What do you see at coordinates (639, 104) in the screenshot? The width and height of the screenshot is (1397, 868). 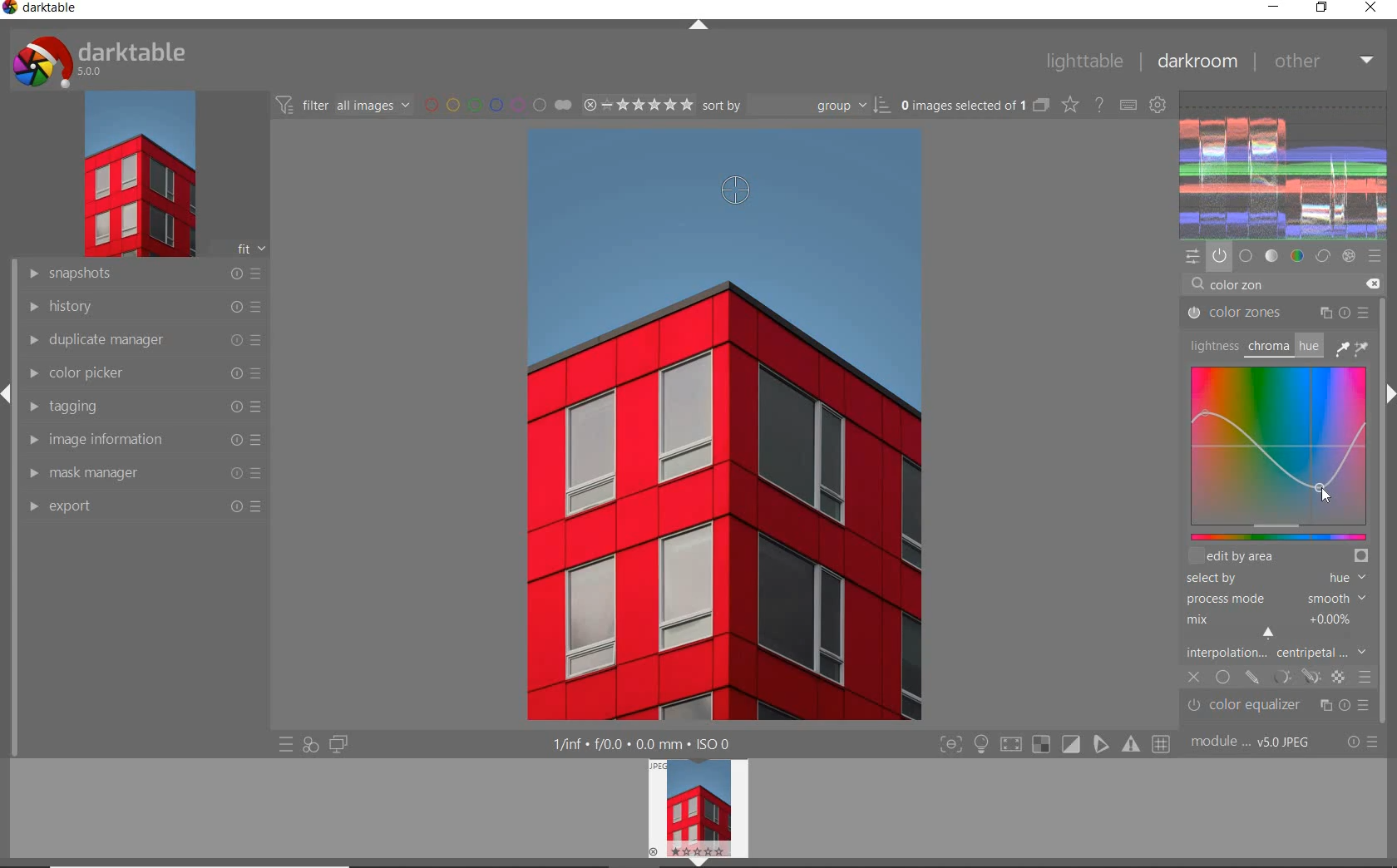 I see `selected Image range rating` at bounding box center [639, 104].